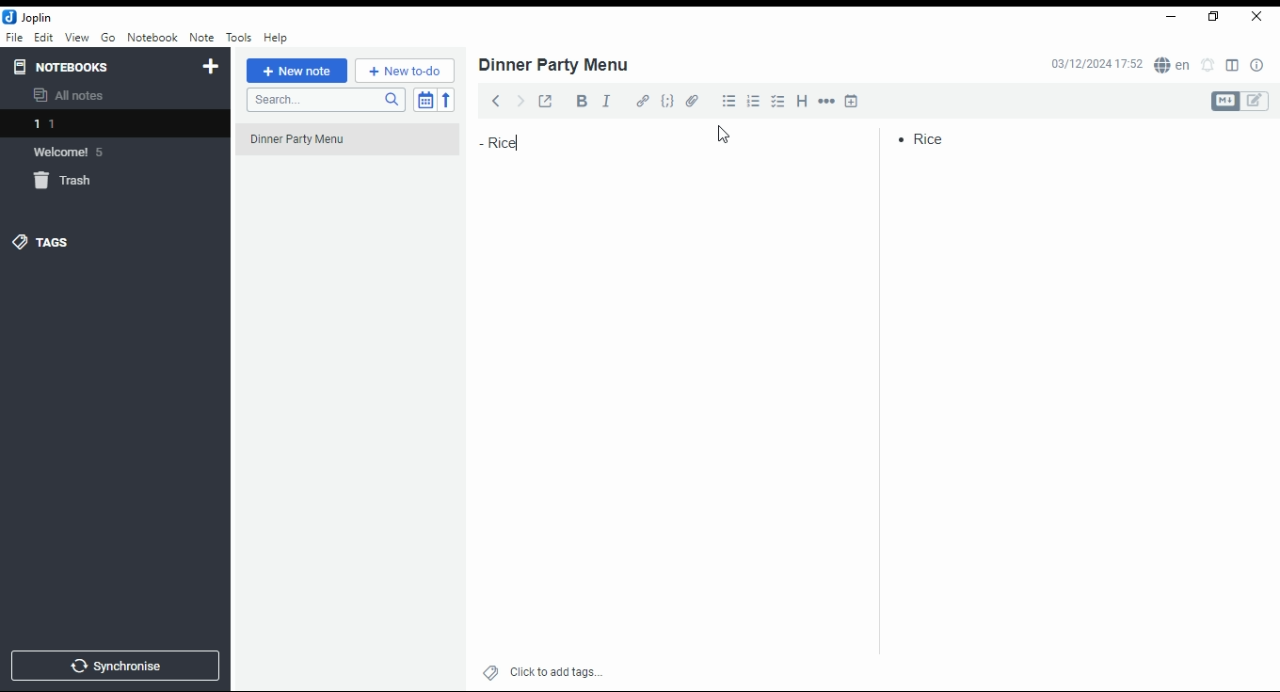 The height and width of the screenshot is (692, 1280). Describe the element at coordinates (1173, 17) in the screenshot. I see `minimize` at that location.